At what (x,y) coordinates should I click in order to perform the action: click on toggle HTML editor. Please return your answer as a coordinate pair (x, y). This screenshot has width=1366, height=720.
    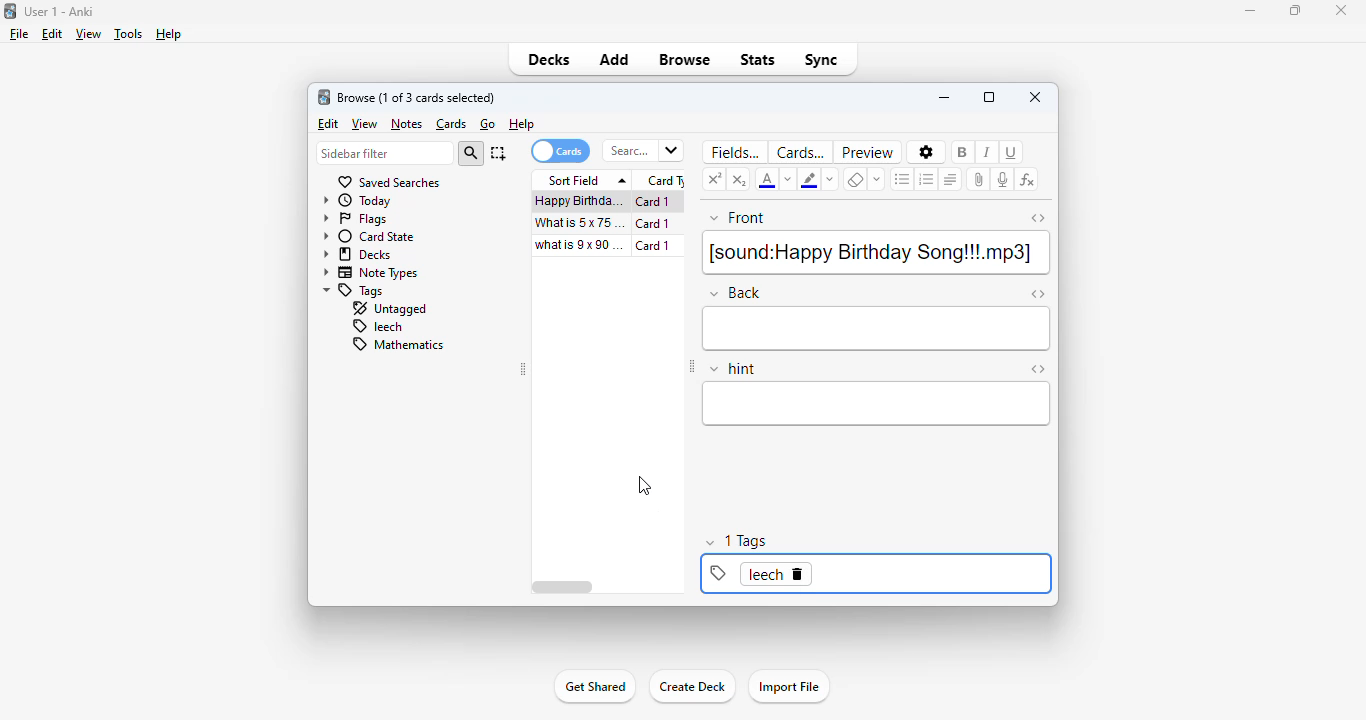
    Looking at the image, I should click on (1038, 295).